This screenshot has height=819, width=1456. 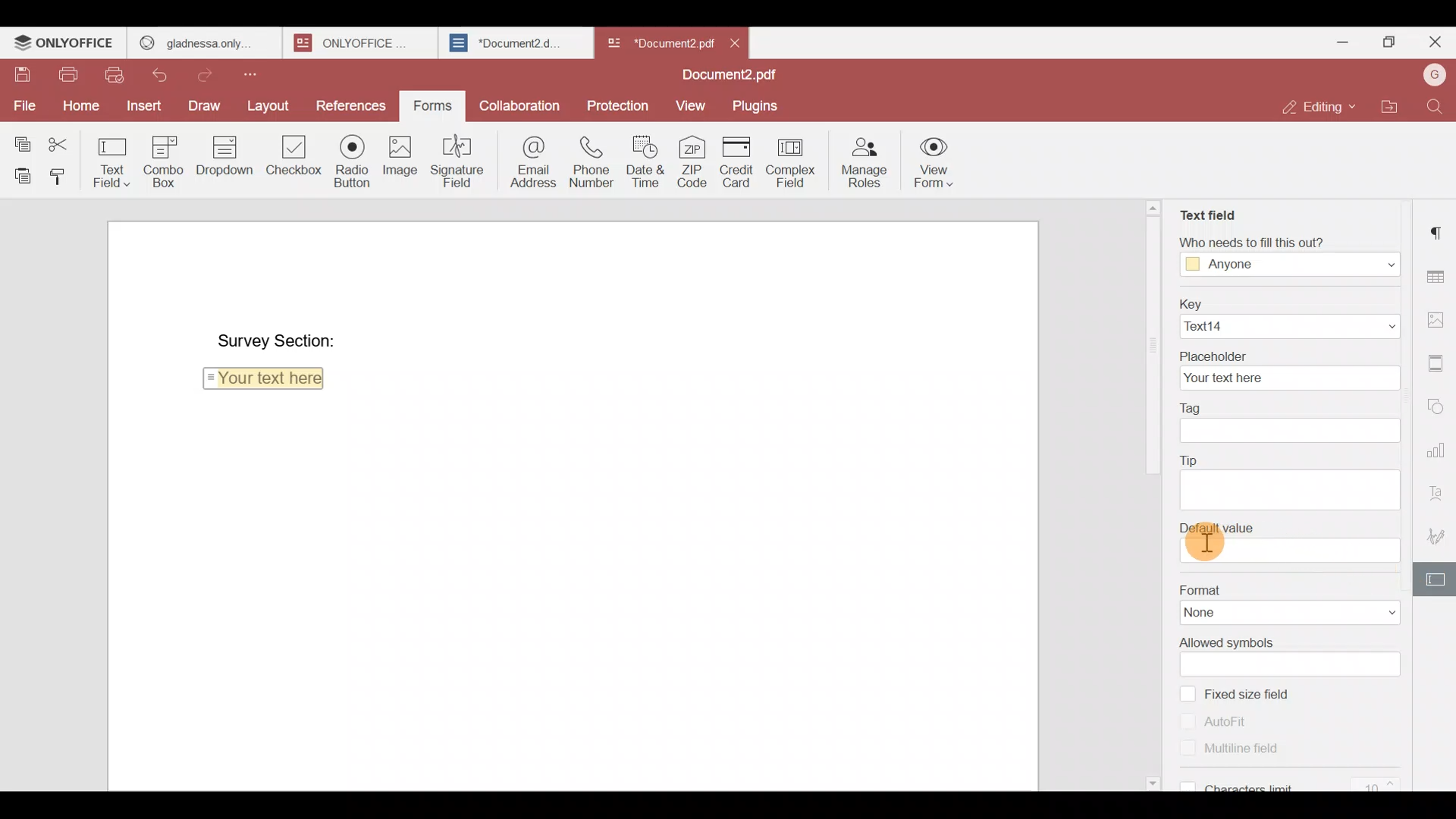 What do you see at coordinates (1291, 612) in the screenshot?
I see `None` at bounding box center [1291, 612].